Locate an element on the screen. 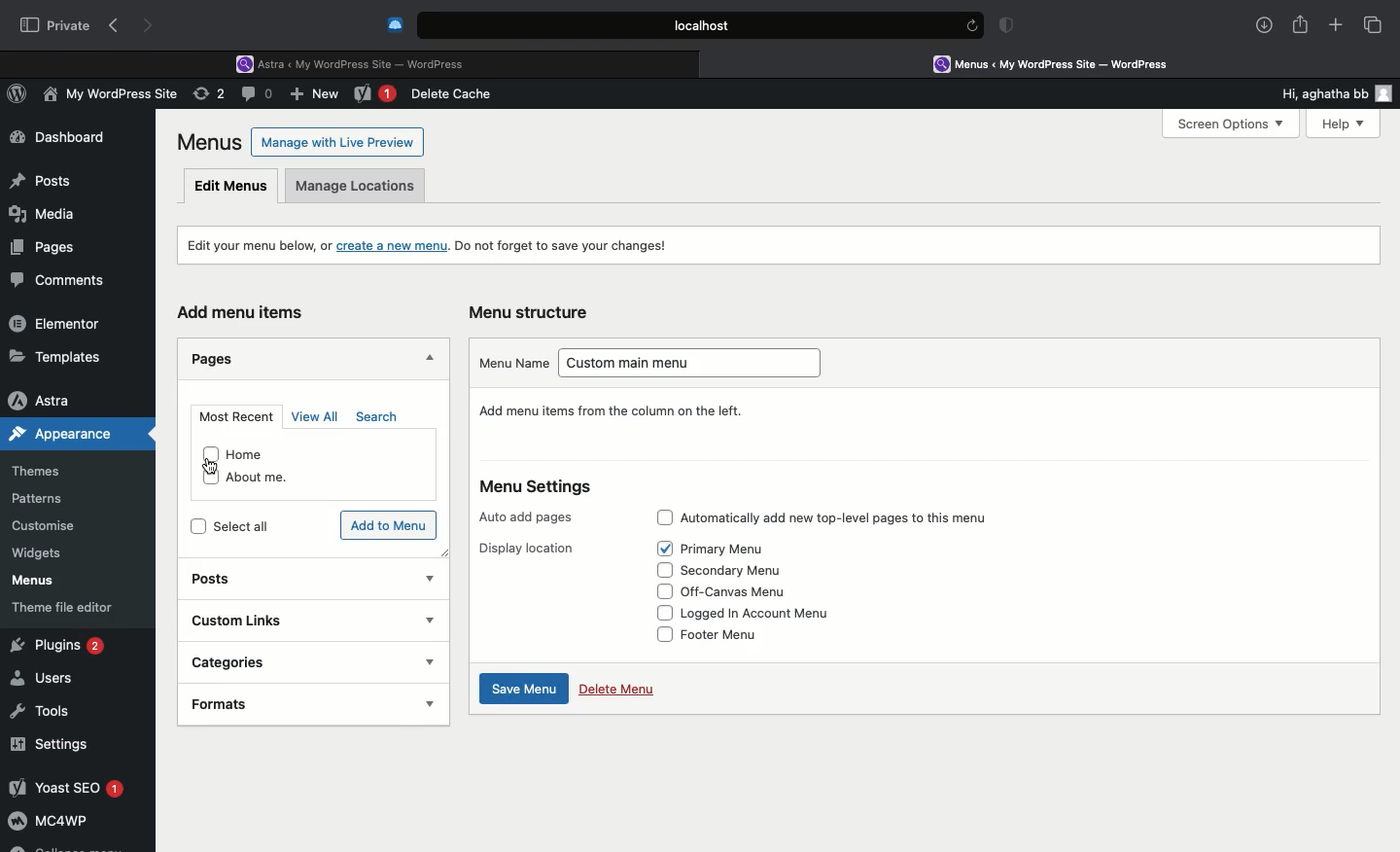 This screenshot has height=852, width=1400. View all is located at coordinates (317, 416).